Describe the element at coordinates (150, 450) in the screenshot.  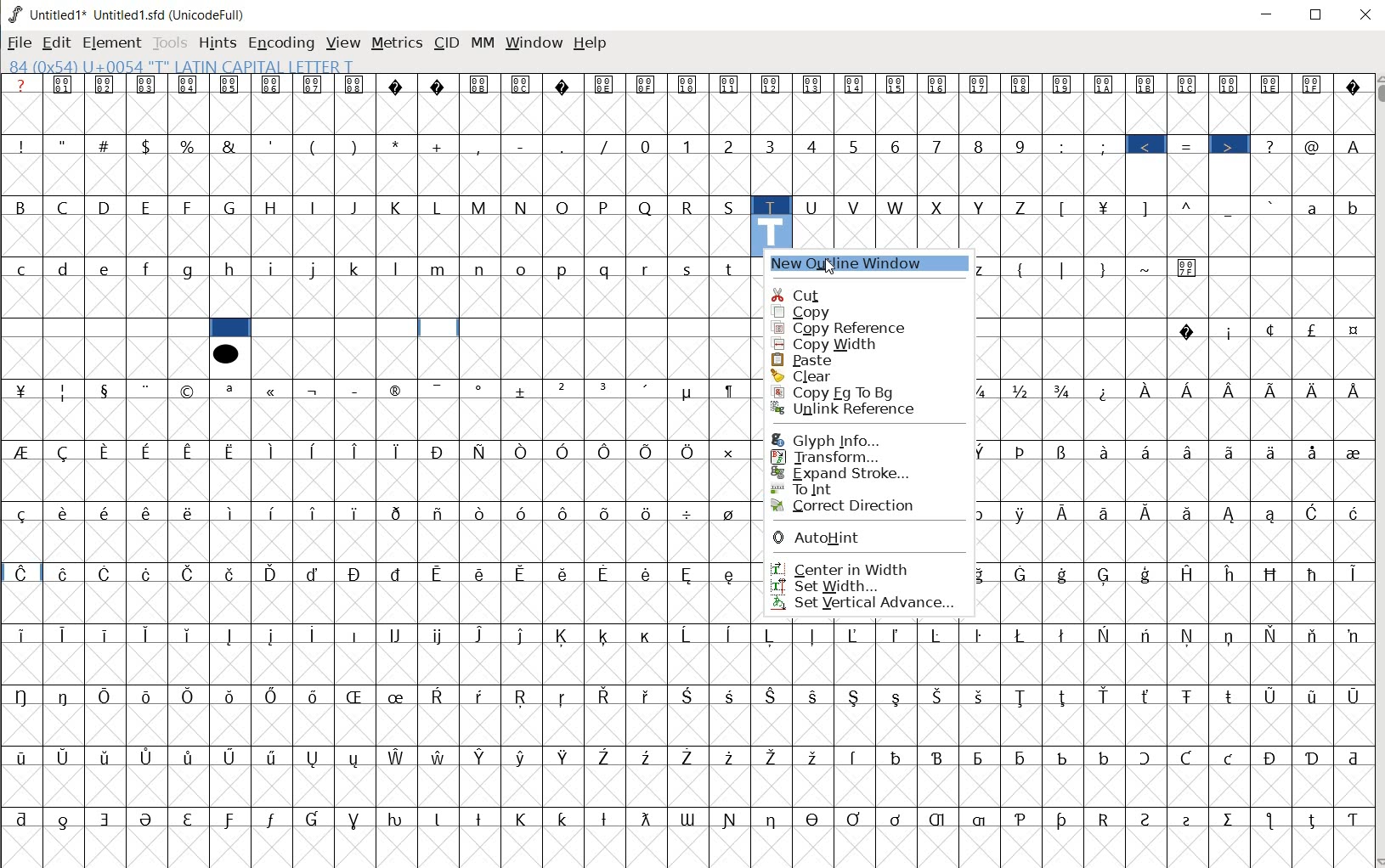
I see `Symbol` at that location.